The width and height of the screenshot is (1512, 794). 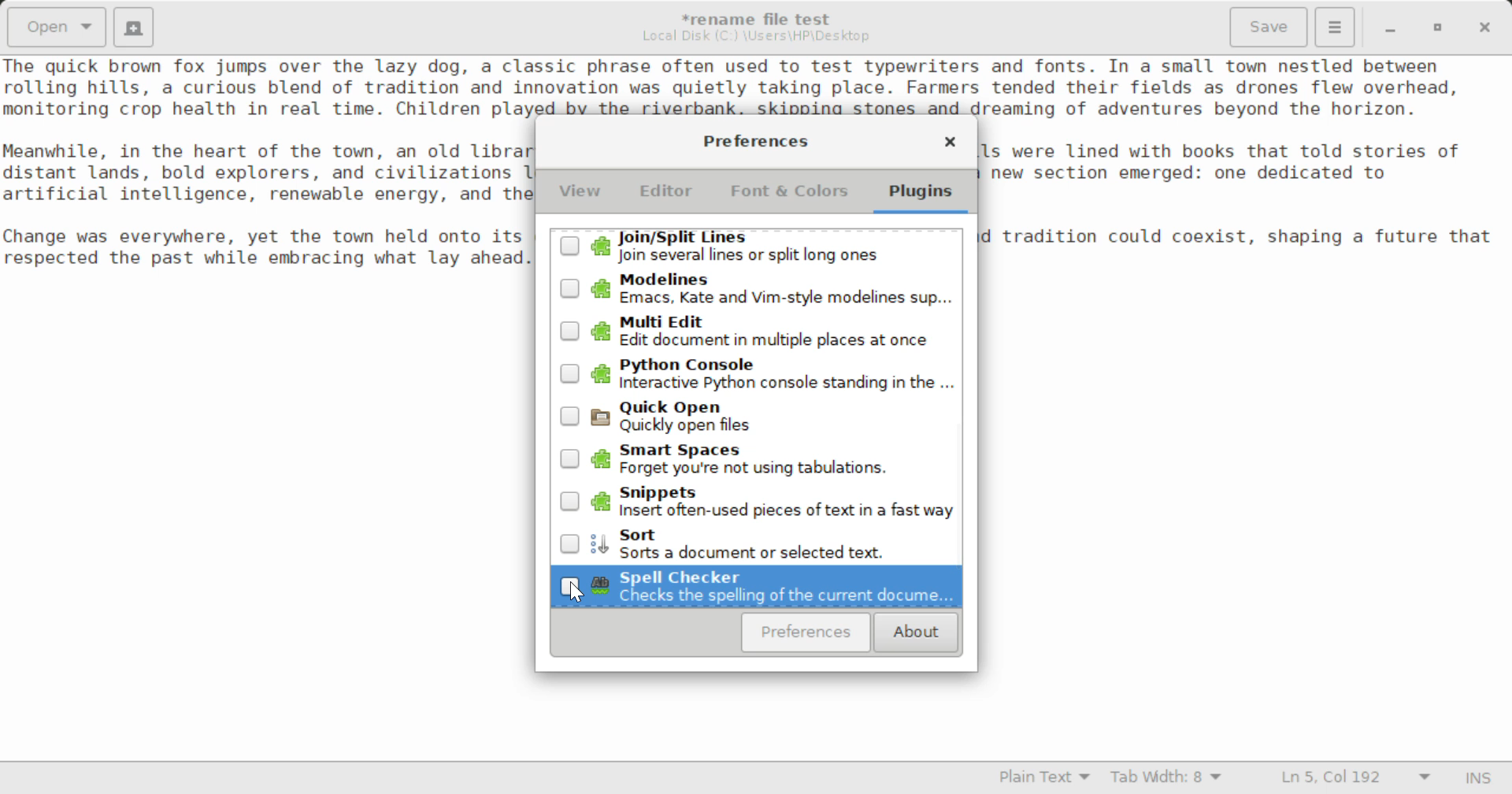 What do you see at coordinates (1334, 25) in the screenshot?
I see `Menu` at bounding box center [1334, 25].